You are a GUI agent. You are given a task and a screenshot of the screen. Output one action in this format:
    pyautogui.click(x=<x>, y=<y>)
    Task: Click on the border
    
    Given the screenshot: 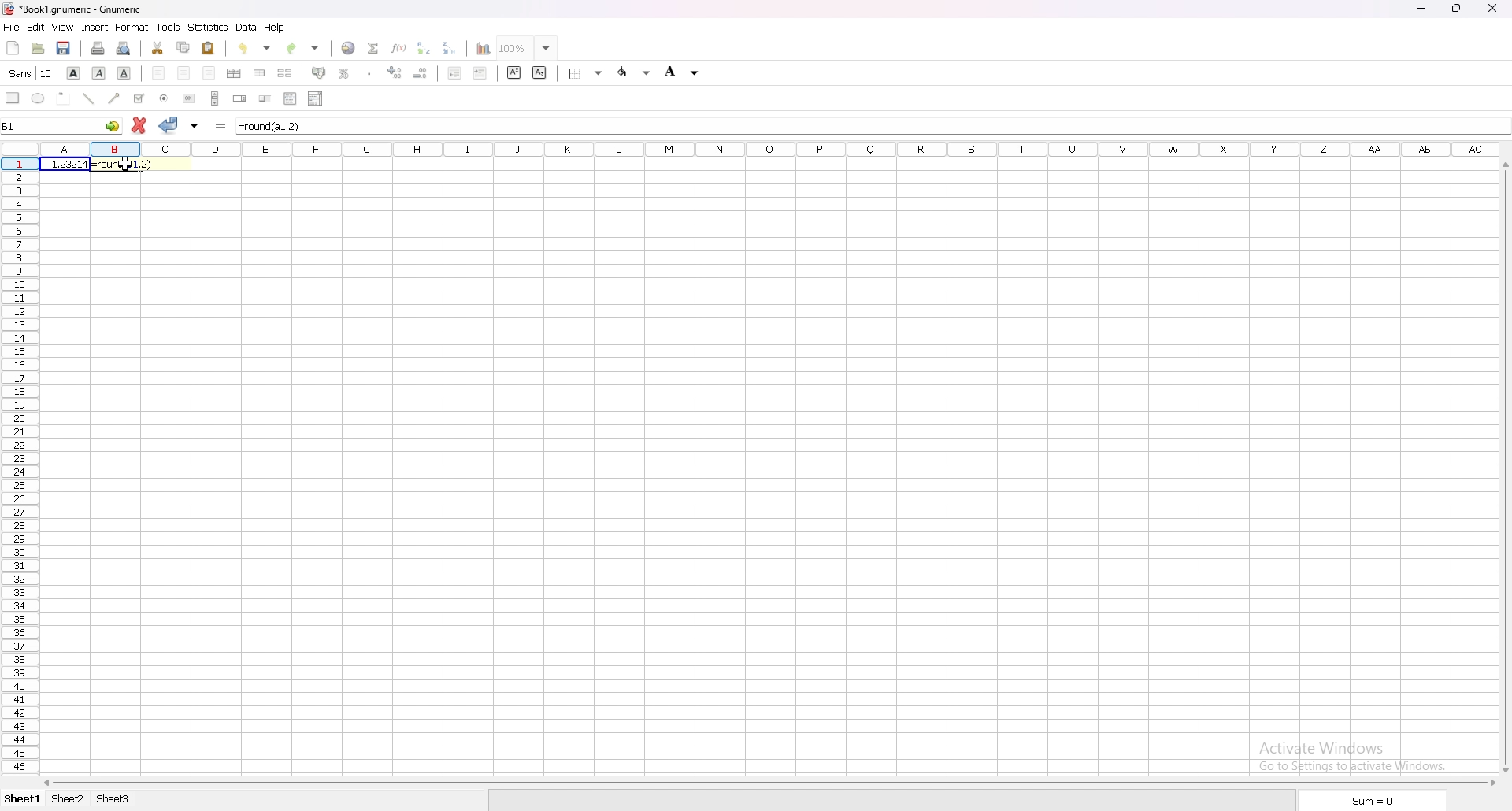 What is the action you would take?
    pyautogui.click(x=584, y=74)
    